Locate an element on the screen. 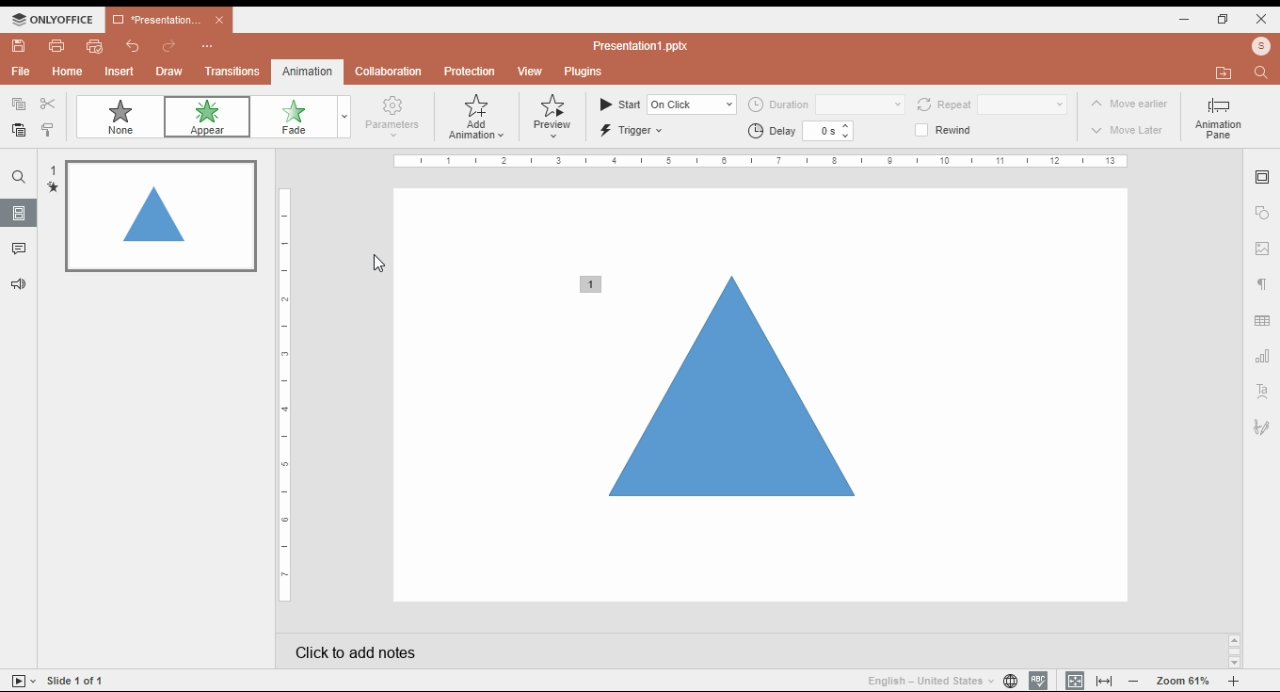  decrease is located at coordinates (847, 137).